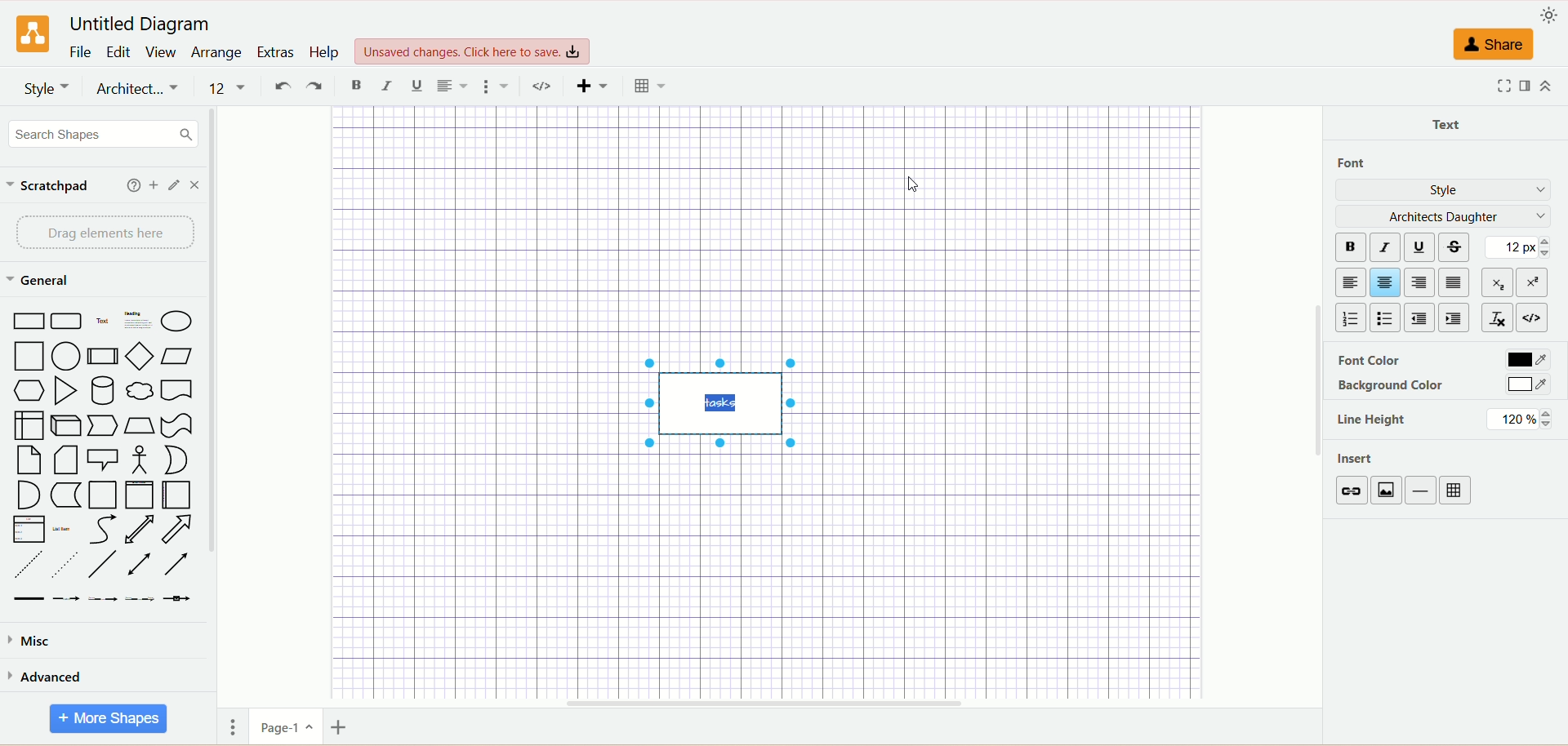 This screenshot has width=1568, height=746. What do you see at coordinates (103, 393) in the screenshot?
I see `Cylinder` at bounding box center [103, 393].